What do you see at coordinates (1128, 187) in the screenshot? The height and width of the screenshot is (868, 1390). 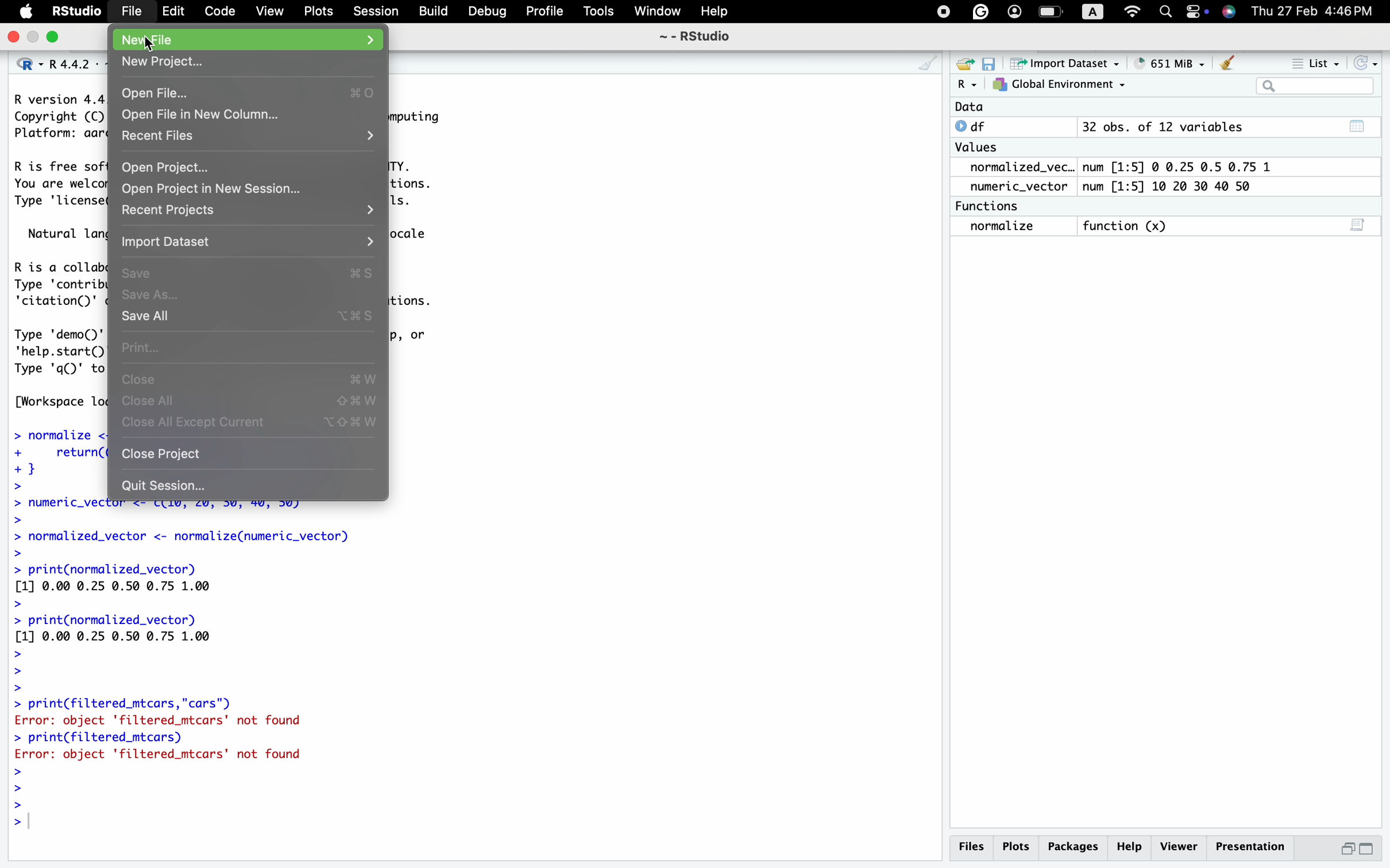 I see `numeric_vector num [1:5] 10 20 30 40 50` at bounding box center [1128, 187].